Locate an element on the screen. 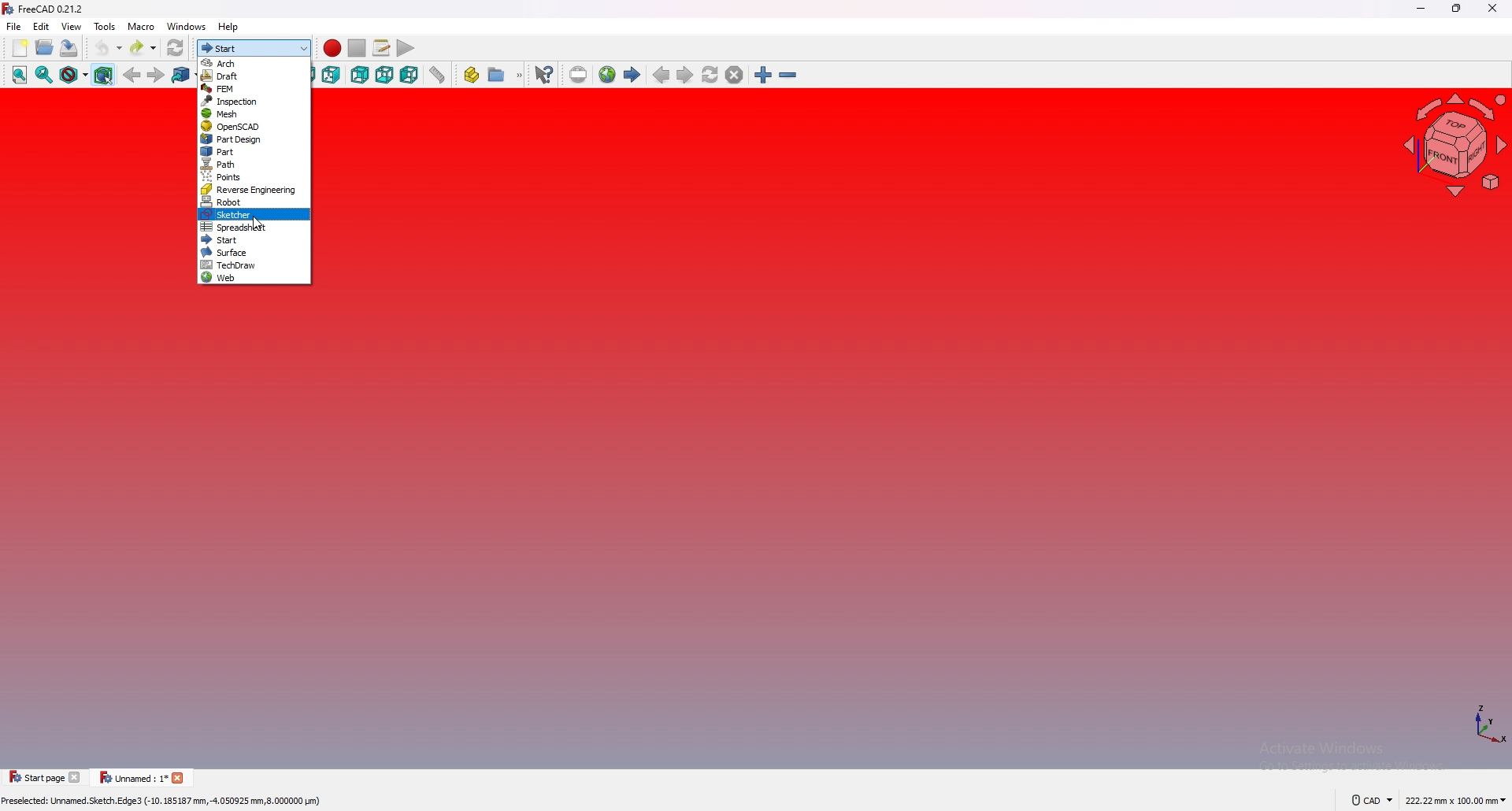  points is located at coordinates (254, 176).